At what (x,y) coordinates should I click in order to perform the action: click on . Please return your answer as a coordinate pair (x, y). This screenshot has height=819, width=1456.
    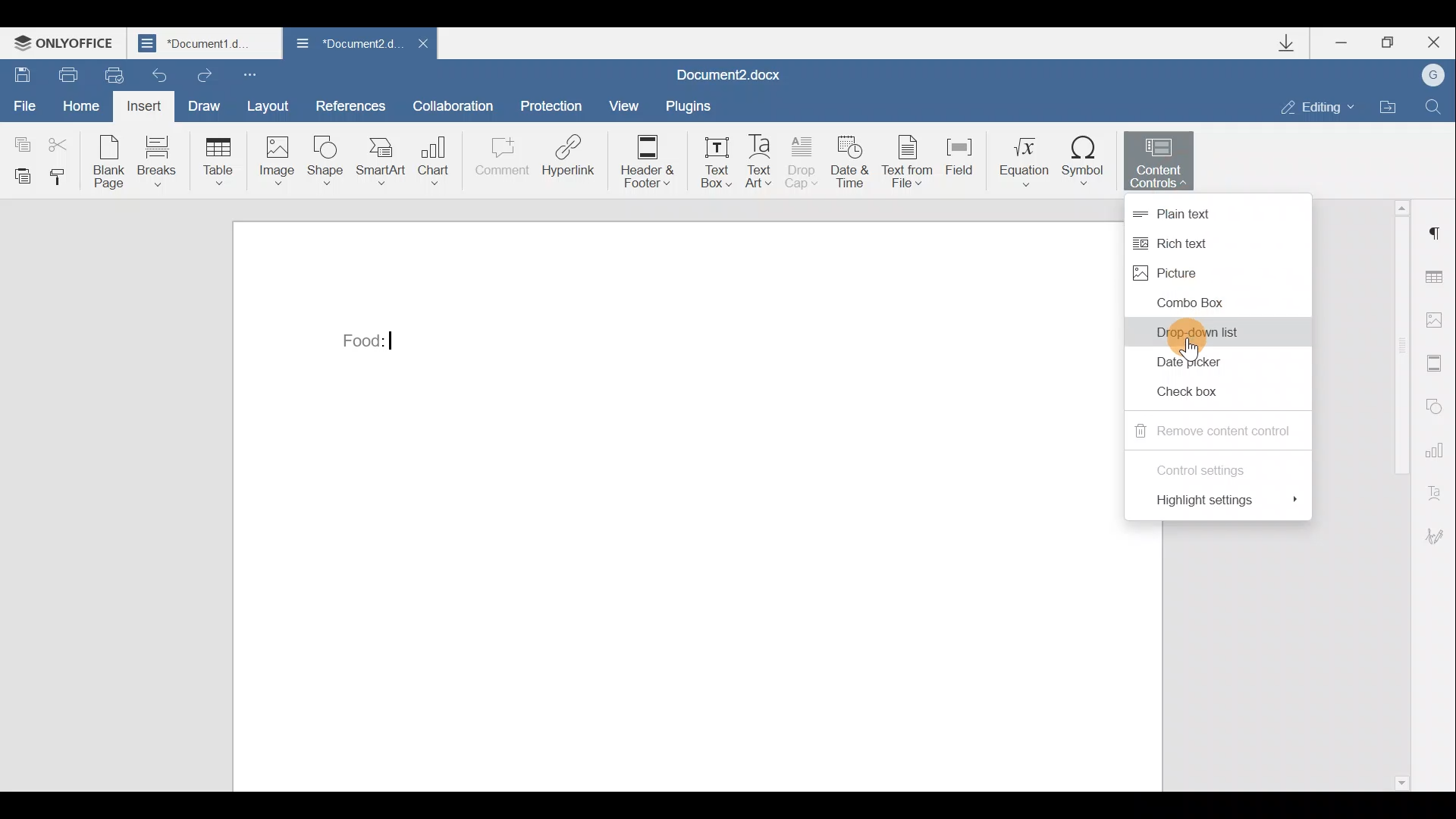
    Looking at the image, I should click on (1191, 350).